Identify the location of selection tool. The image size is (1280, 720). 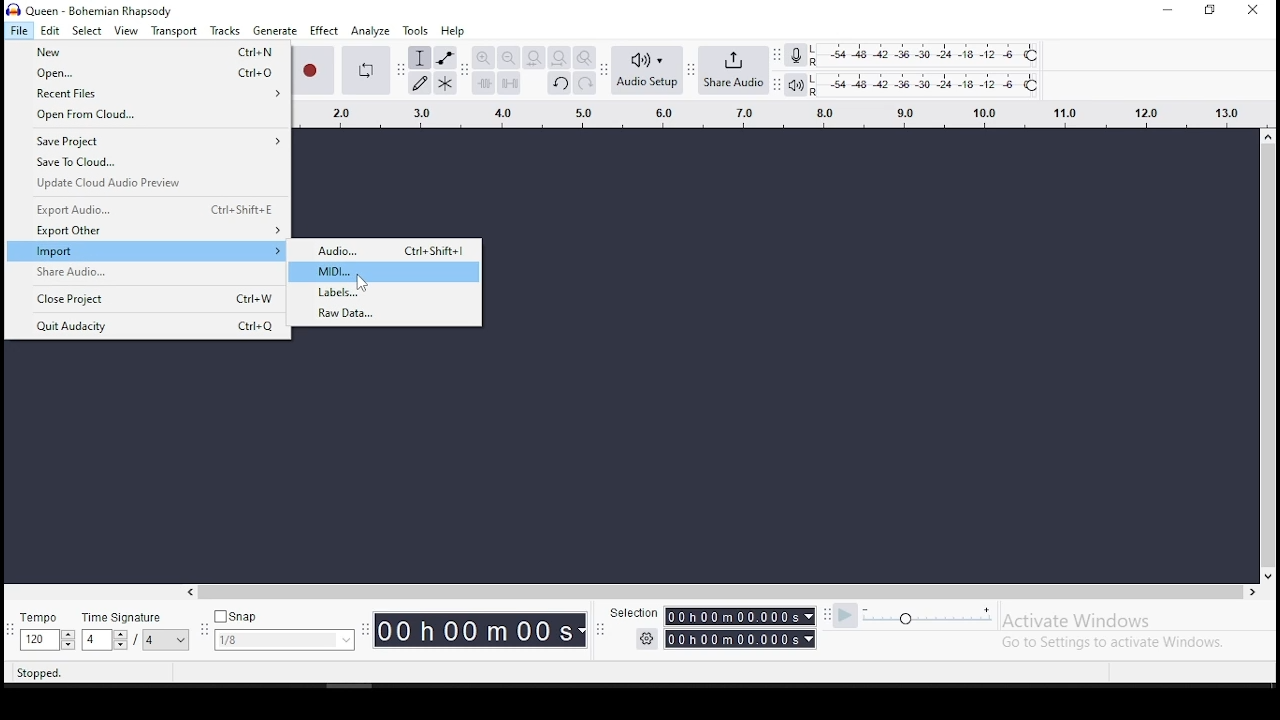
(419, 59).